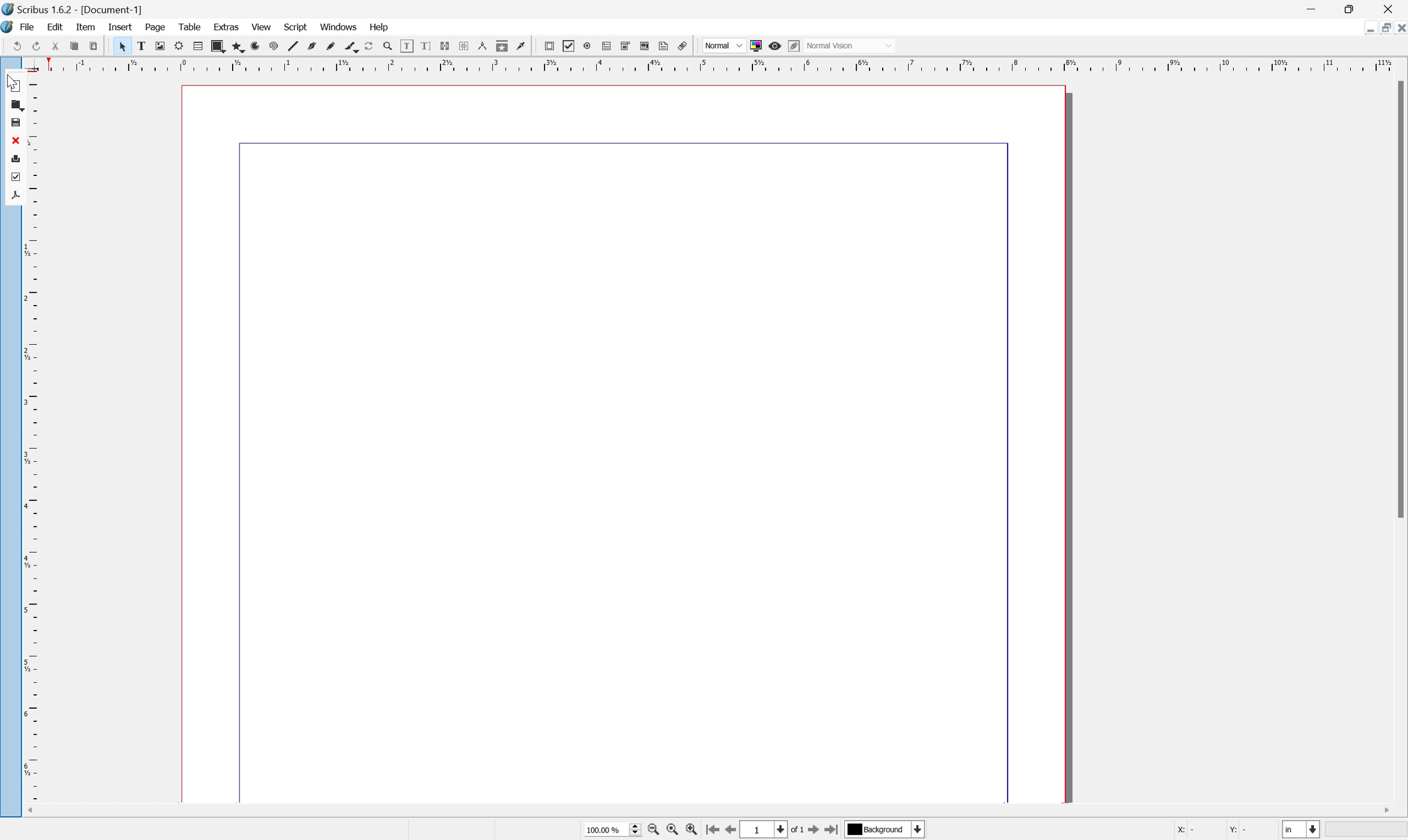  What do you see at coordinates (18, 106) in the screenshot?
I see `open` at bounding box center [18, 106].